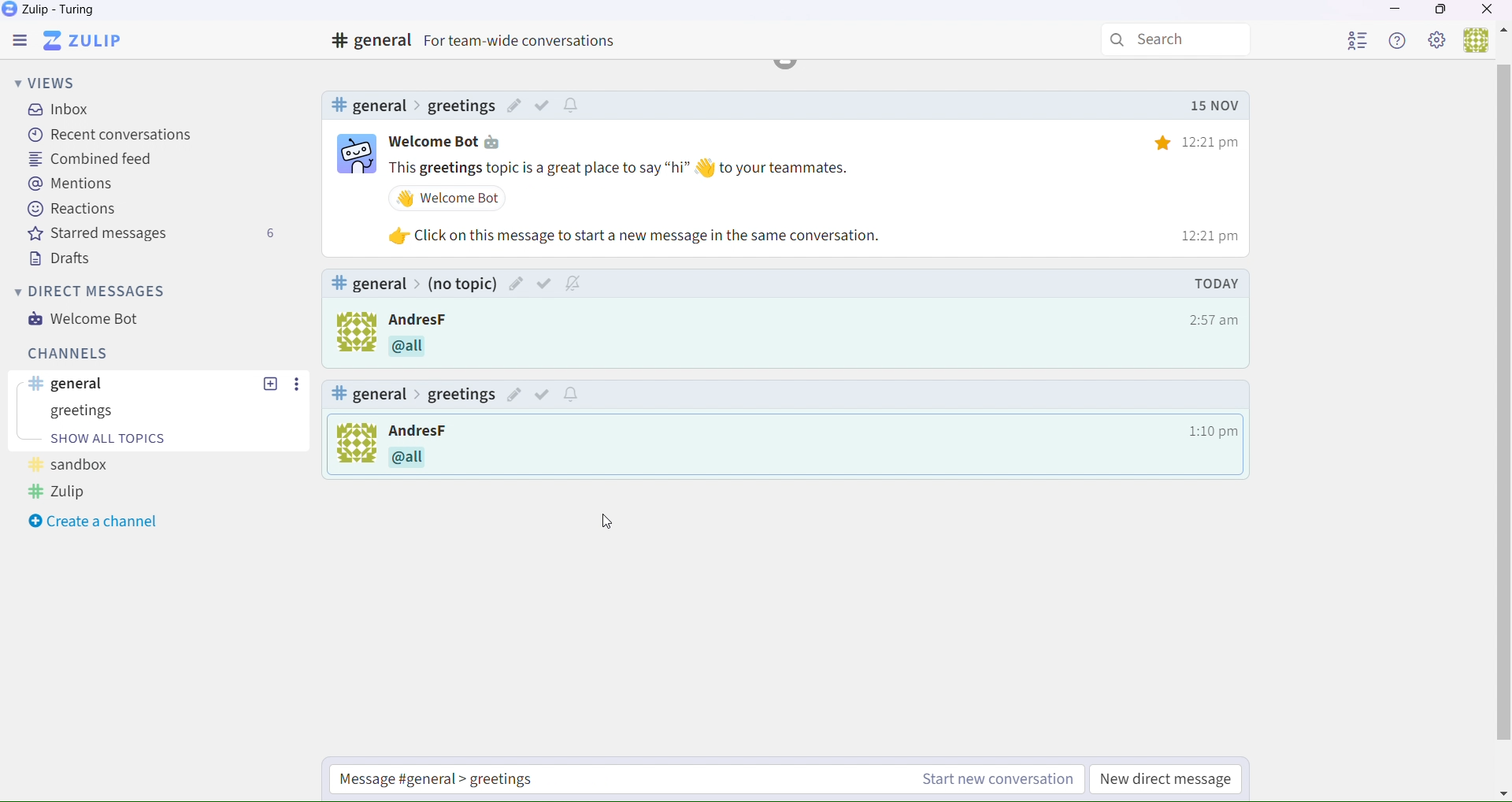  What do you see at coordinates (448, 140) in the screenshot?
I see `Welcome bot` at bounding box center [448, 140].